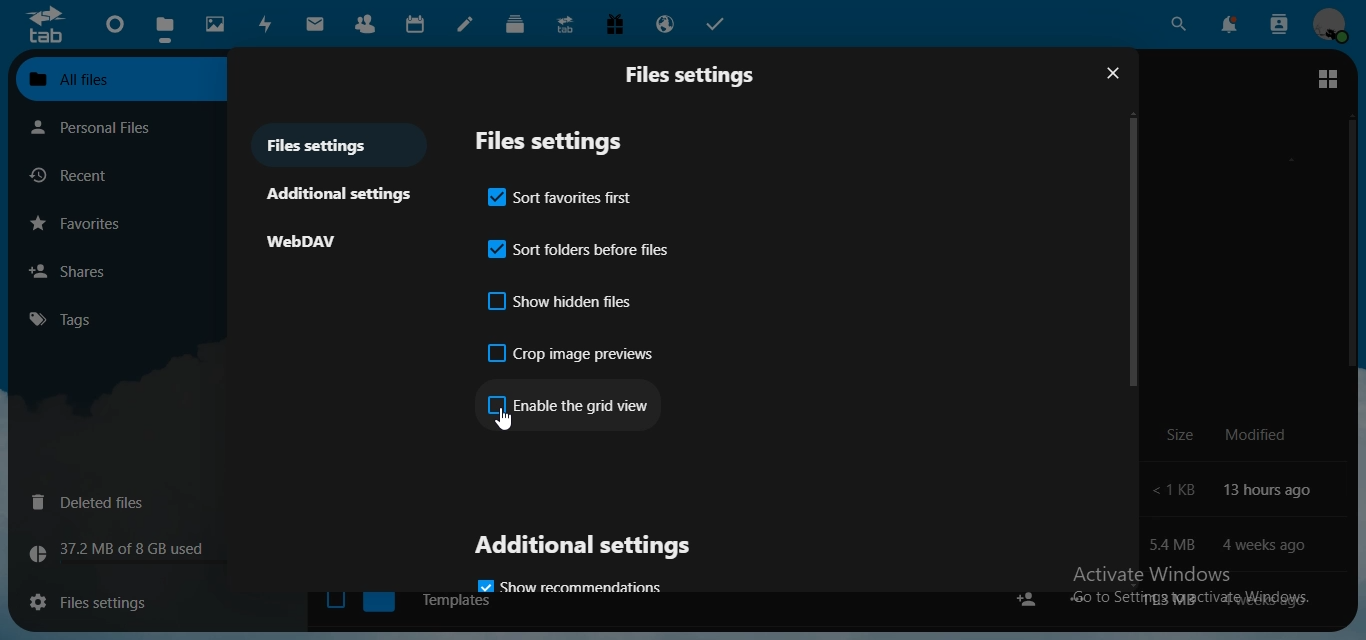 Image resolution: width=1366 pixels, height=640 pixels. What do you see at coordinates (103, 128) in the screenshot?
I see `personal files` at bounding box center [103, 128].